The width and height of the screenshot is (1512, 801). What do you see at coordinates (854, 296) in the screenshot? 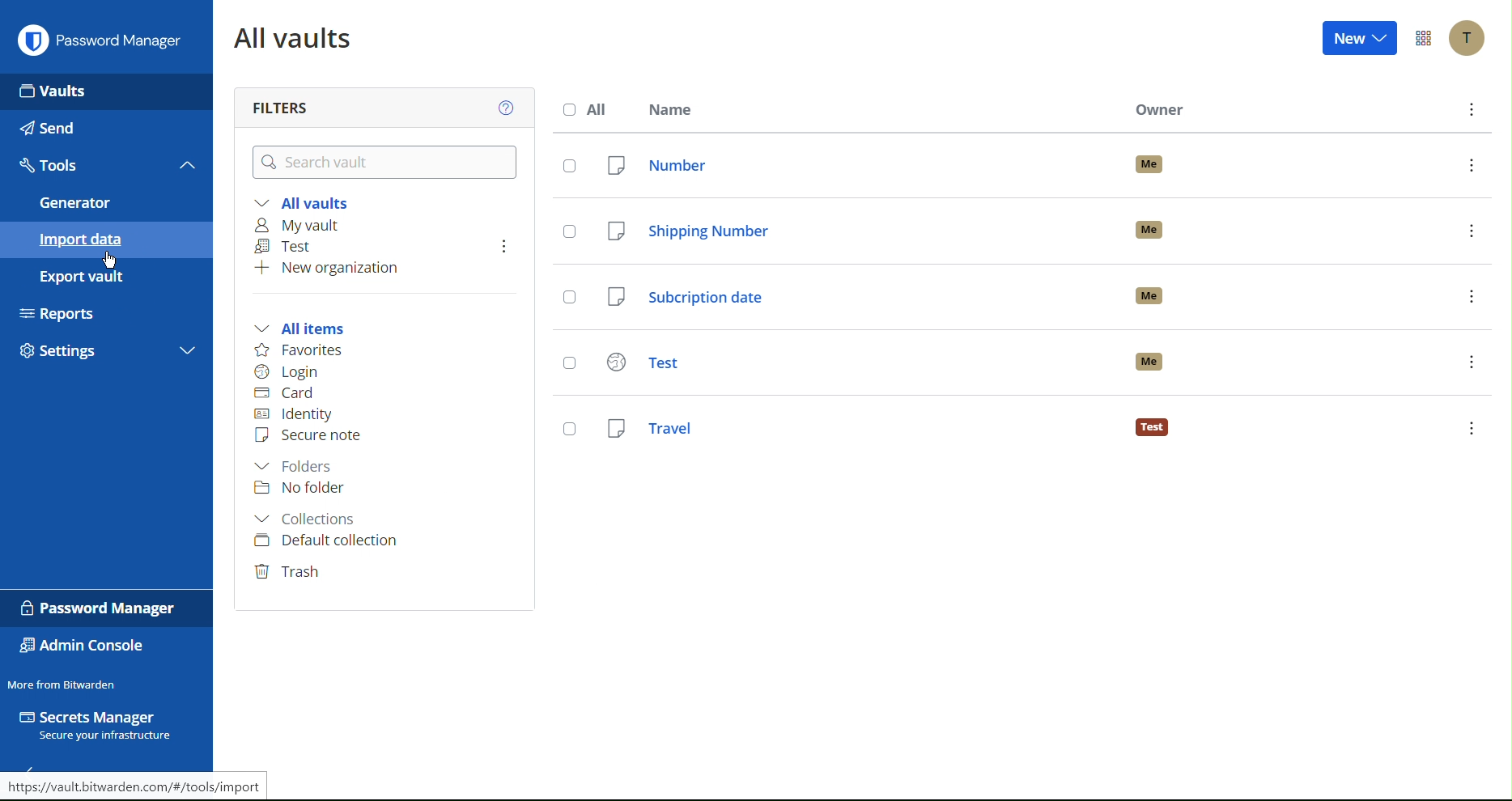
I see `subscription date` at bounding box center [854, 296].